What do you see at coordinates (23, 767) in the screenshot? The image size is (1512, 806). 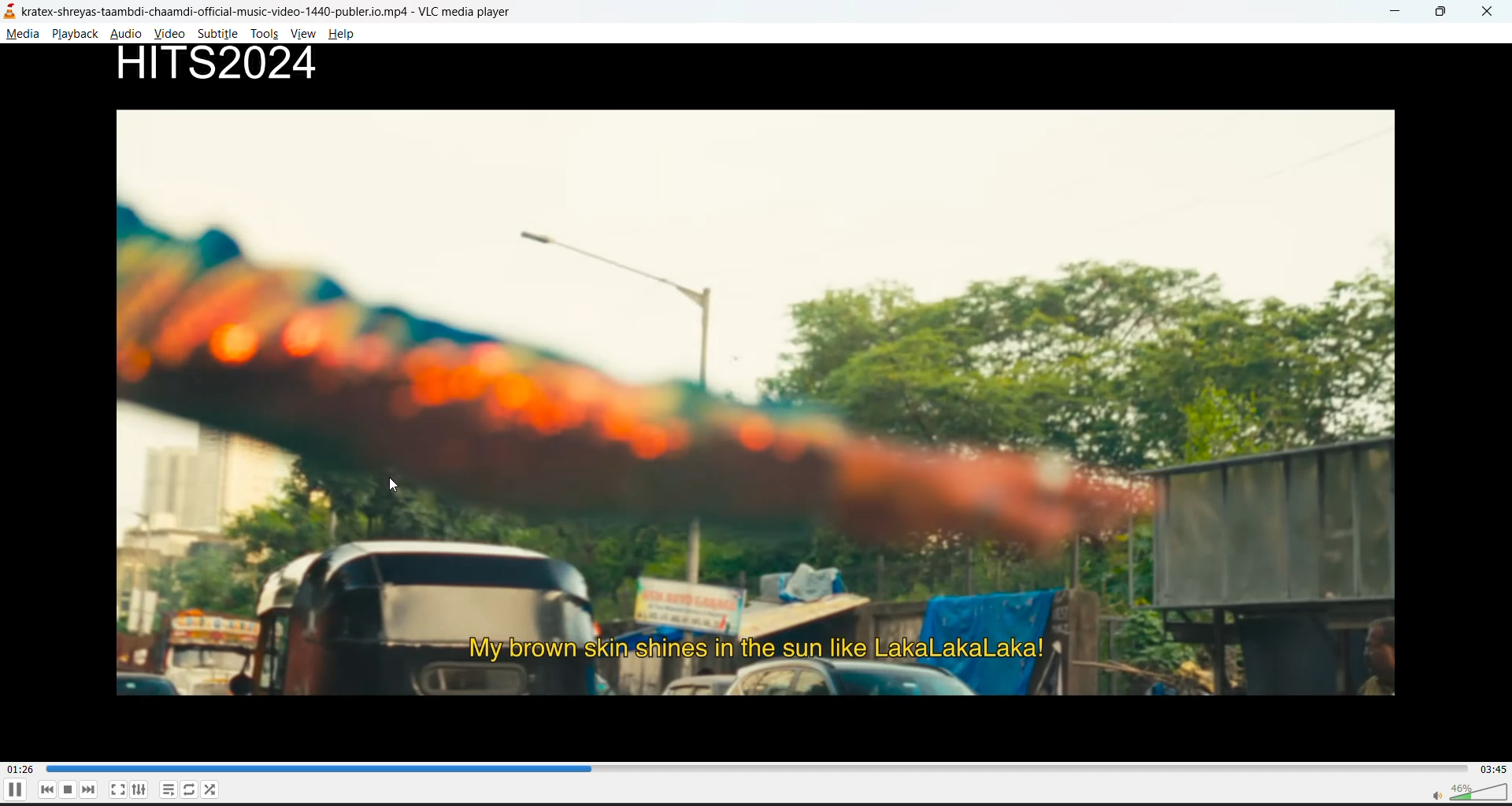 I see `current track time` at bounding box center [23, 767].